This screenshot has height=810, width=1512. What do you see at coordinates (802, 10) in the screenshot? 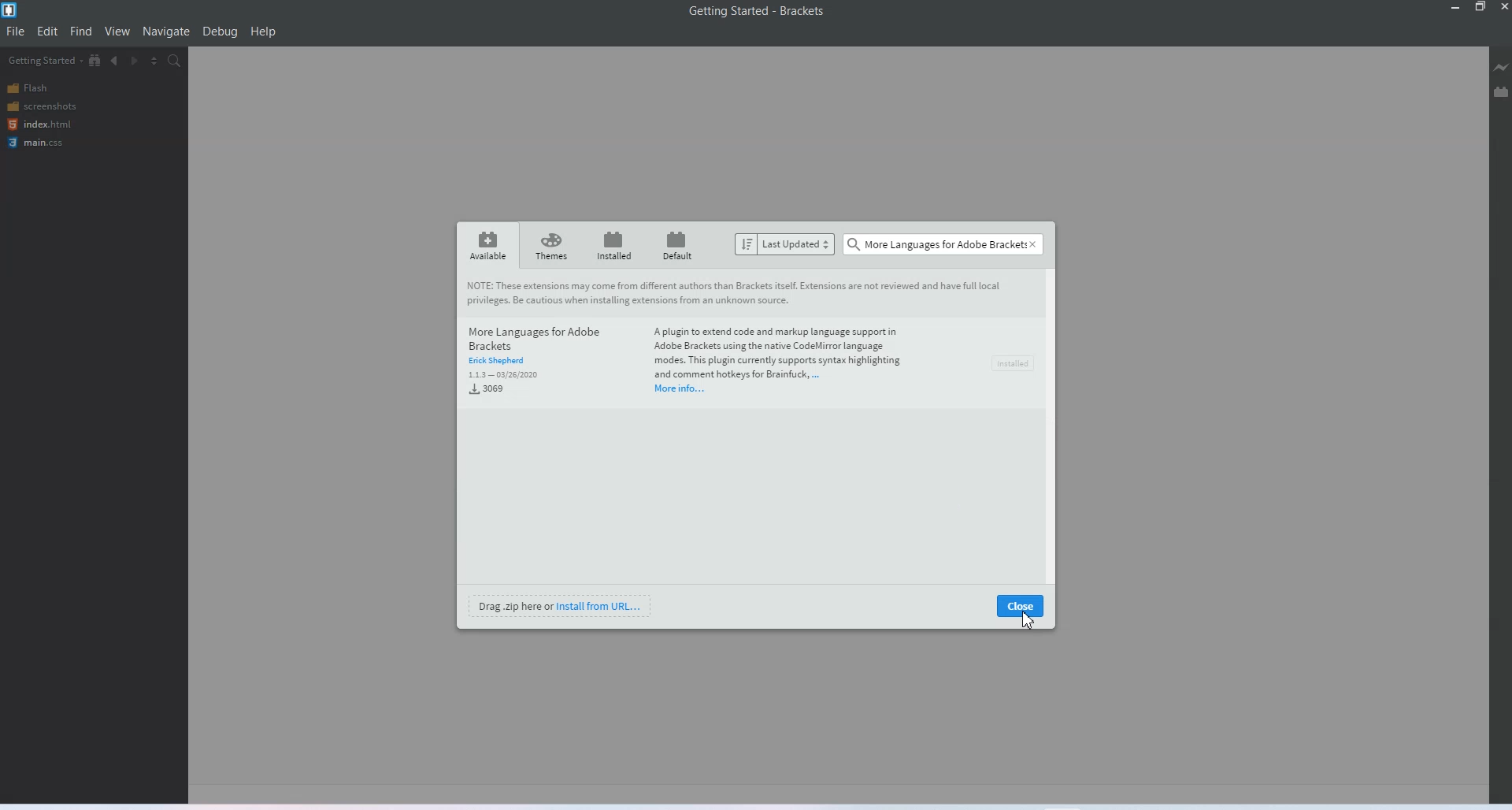
I see `Brackets` at bounding box center [802, 10].